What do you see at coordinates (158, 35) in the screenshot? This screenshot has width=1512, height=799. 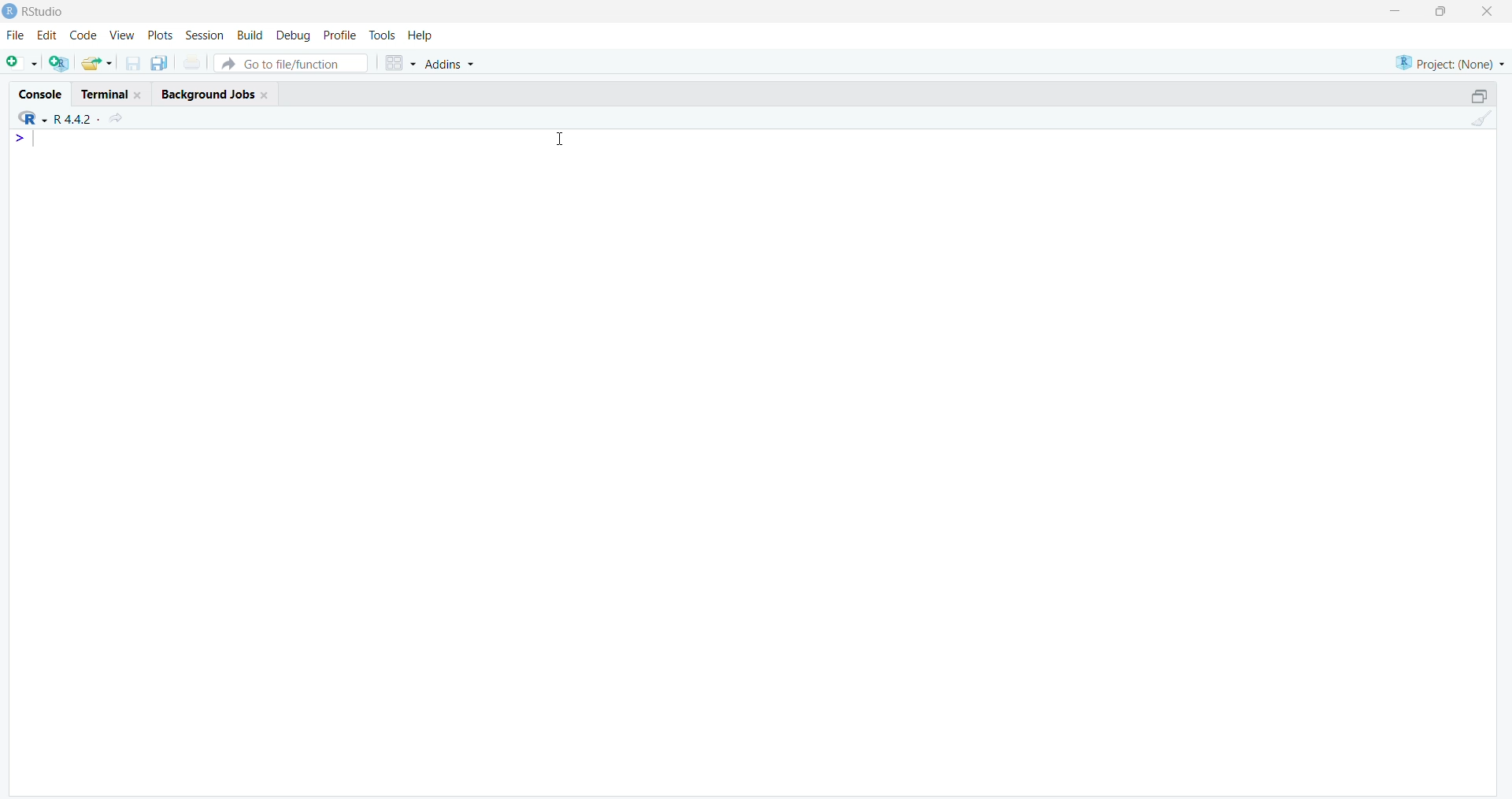 I see `Plots` at bounding box center [158, 35].